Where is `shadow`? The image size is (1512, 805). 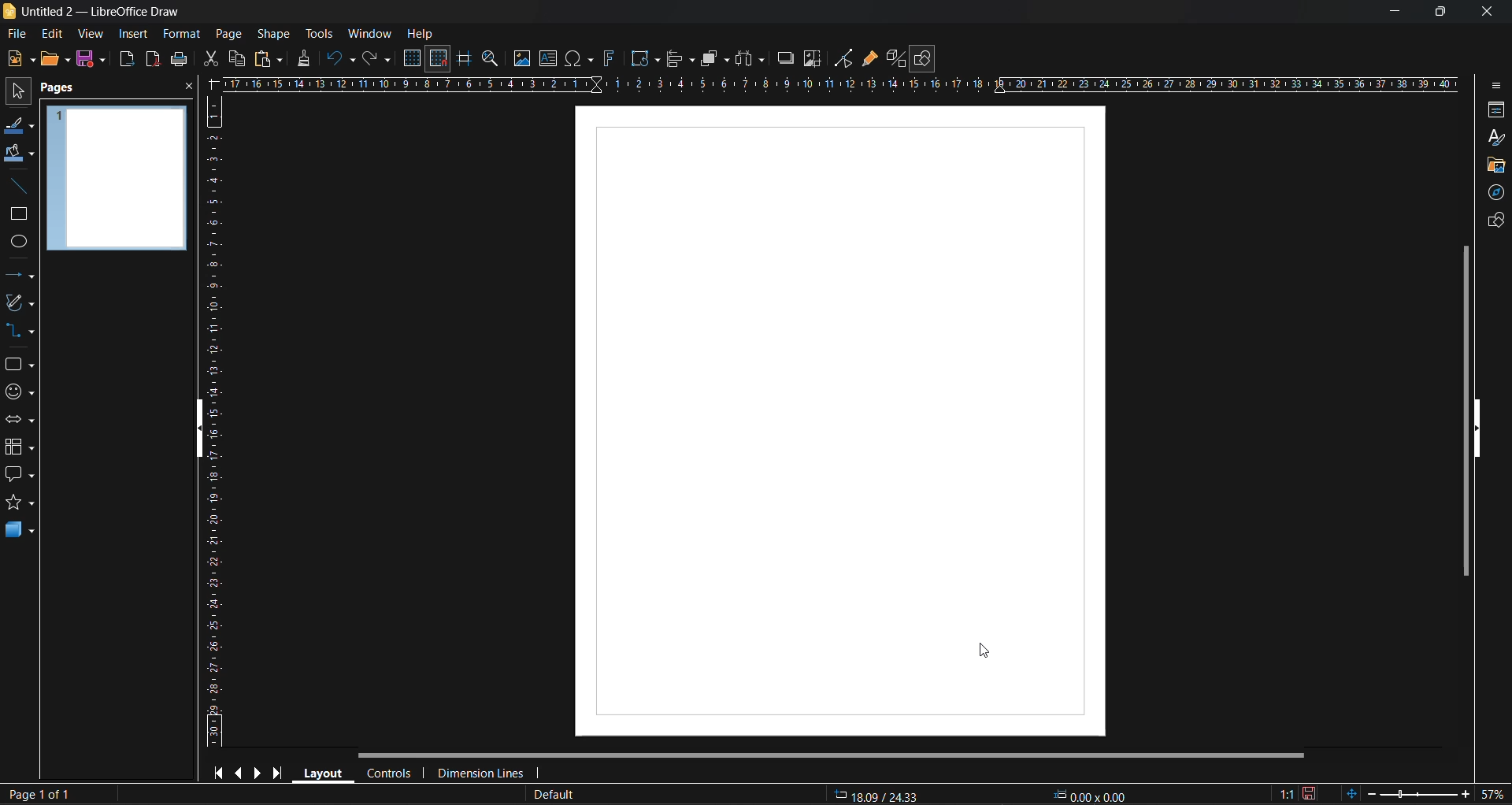 shadow is located at coordinates (788, 57).